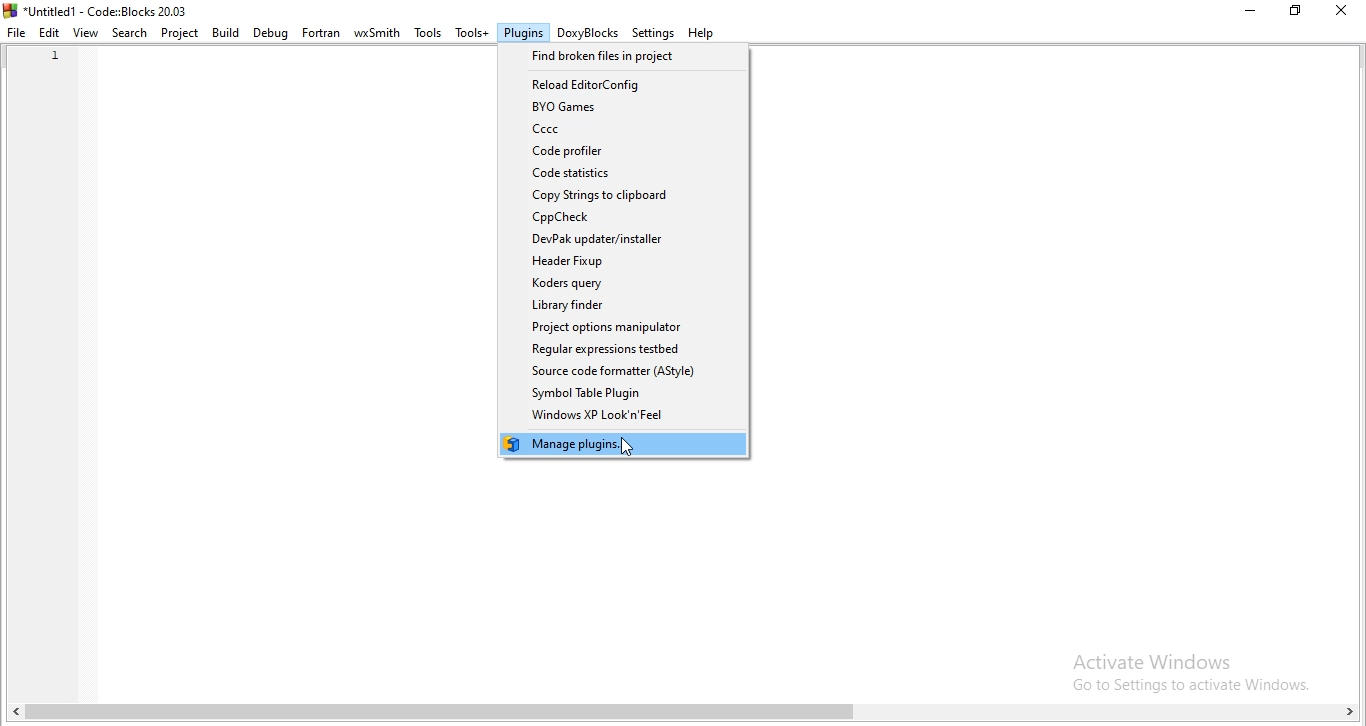  What do you see at coordinates (1346, 12) in the screenshot?
I see `close` at bounding box center [1346, 12].